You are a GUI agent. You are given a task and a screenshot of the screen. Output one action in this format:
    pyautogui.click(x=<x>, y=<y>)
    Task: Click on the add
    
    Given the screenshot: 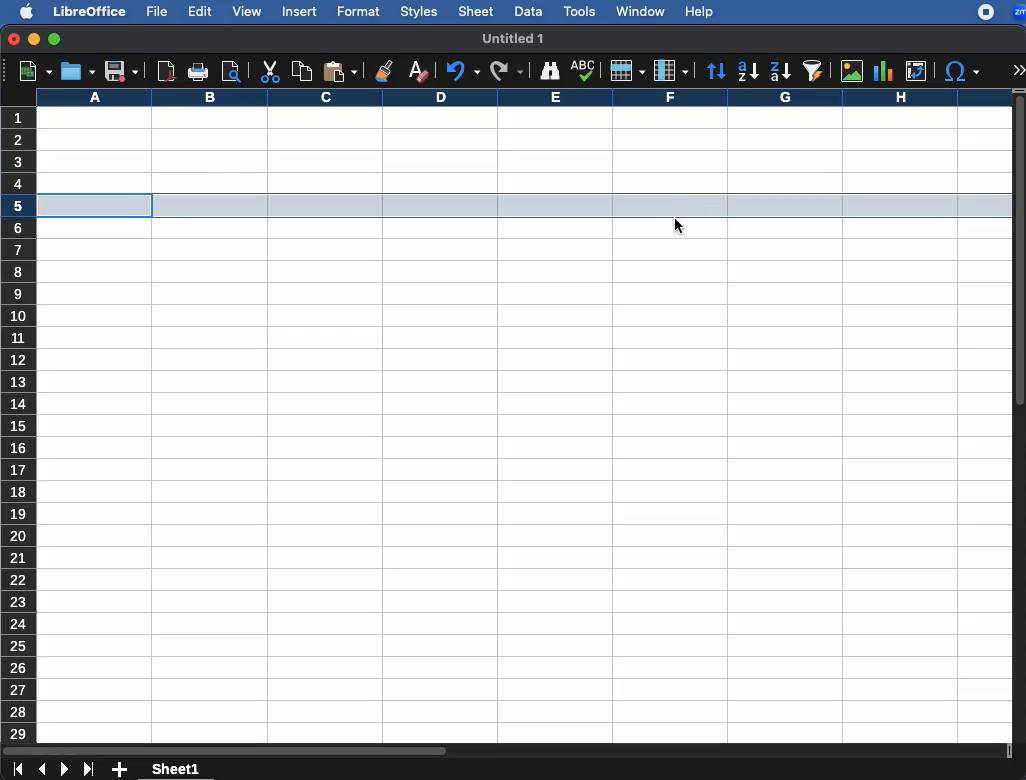 What is the action you would take?
    pyautogui.click(x=120, y=771)
    